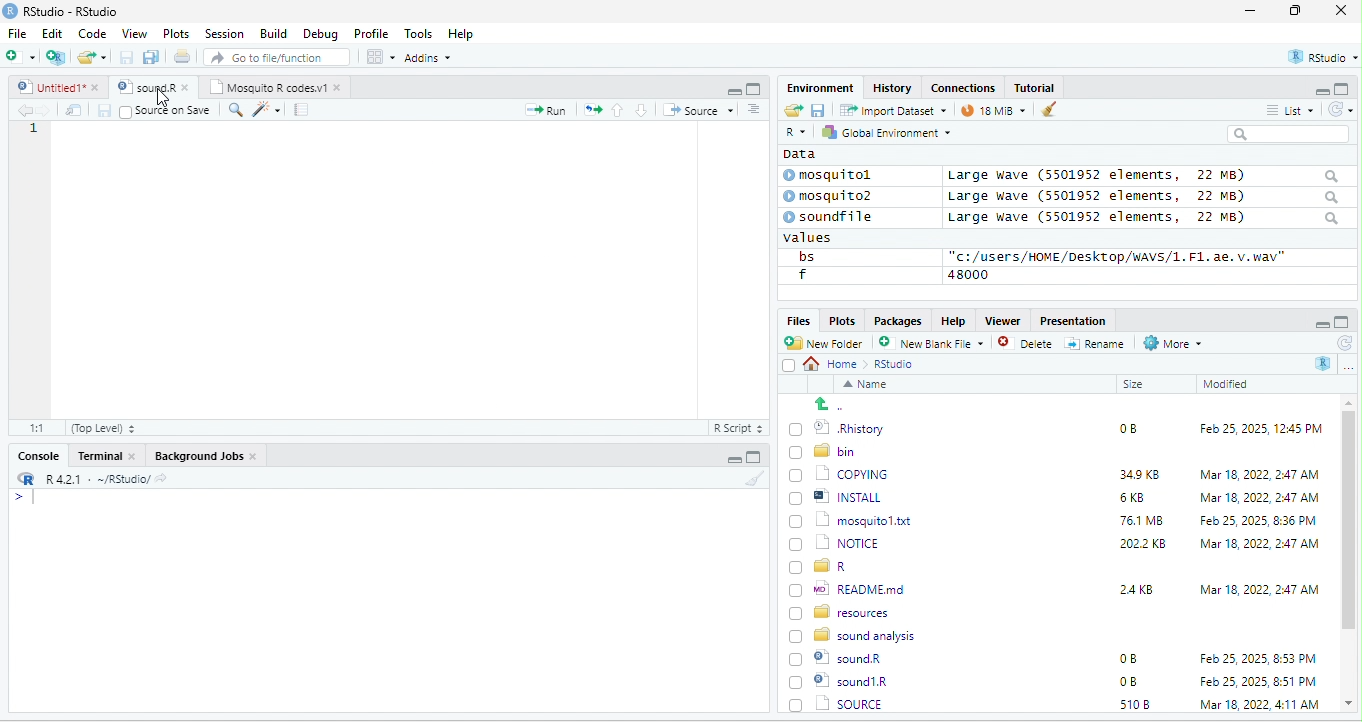  Describe the element at coordinates (1254, 499) in the screenshot. I see `Mar 18, 2022, 2:47 AM` at that location.